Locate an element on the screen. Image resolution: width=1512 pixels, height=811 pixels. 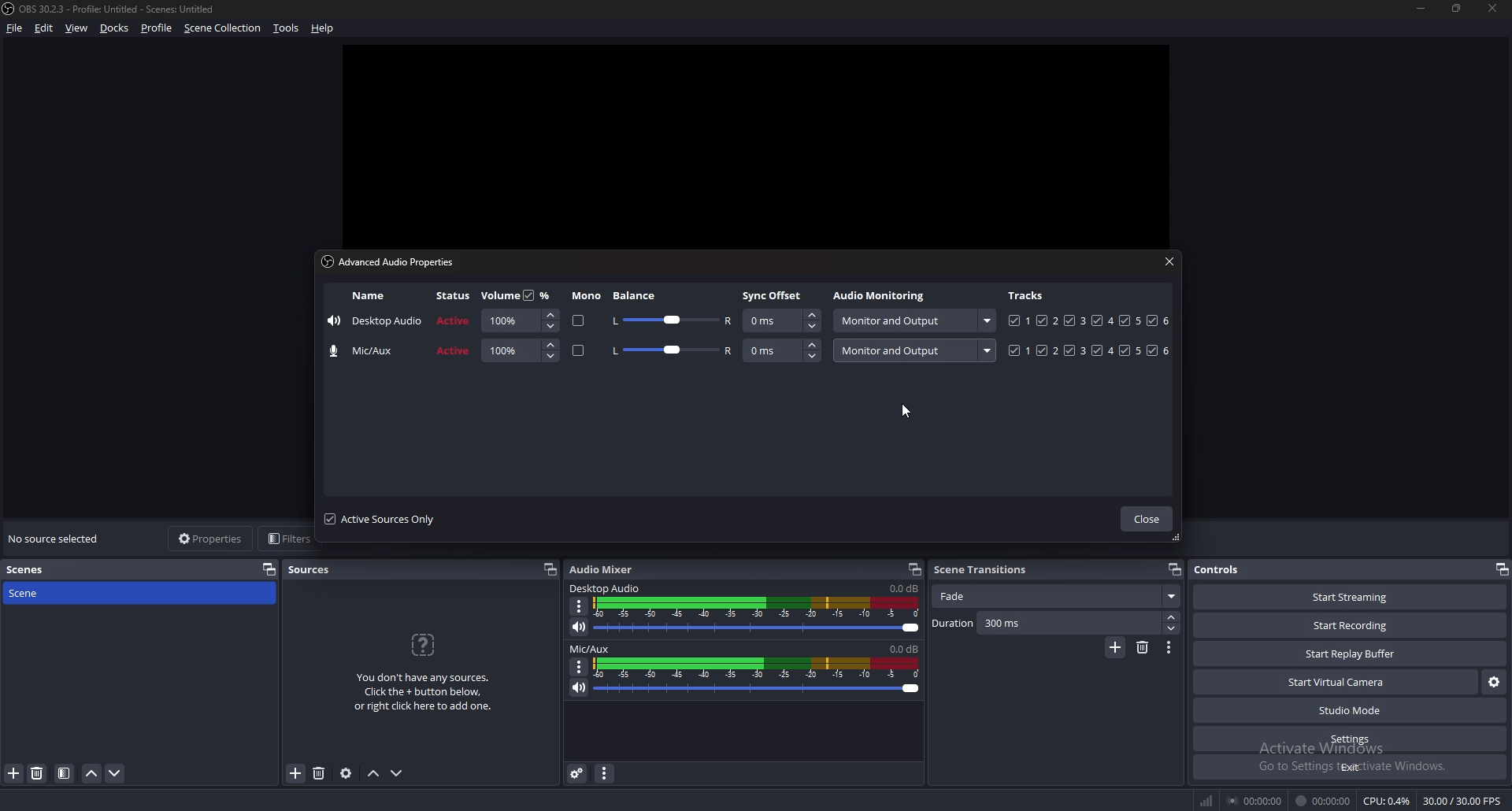
status is located at coordinates (454, 294).